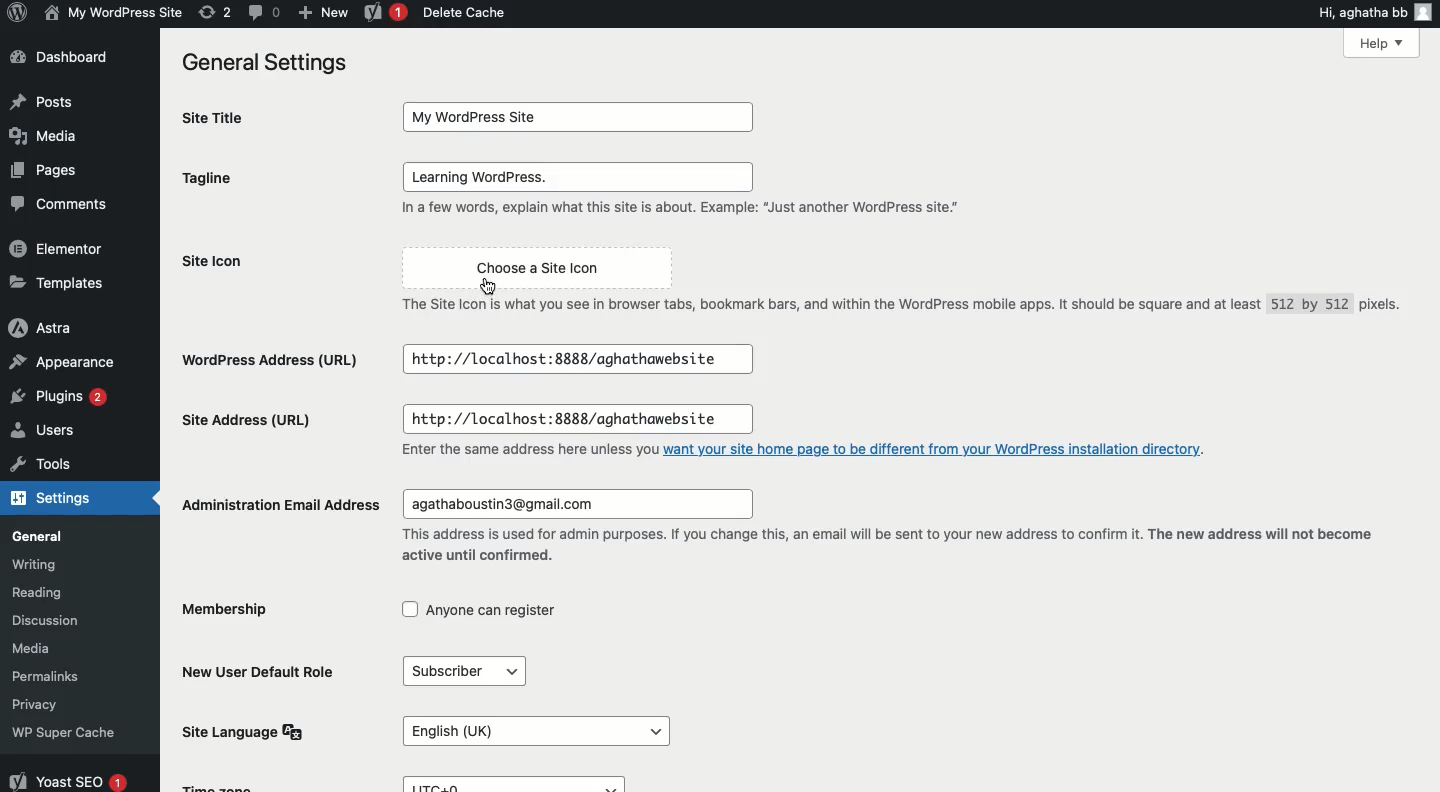 The width and height of the screenshot is (1440, 792). What do you see at coordinates (63, 618) in the screenshot?
I see `Discussion` at bounding box center [63, 618].